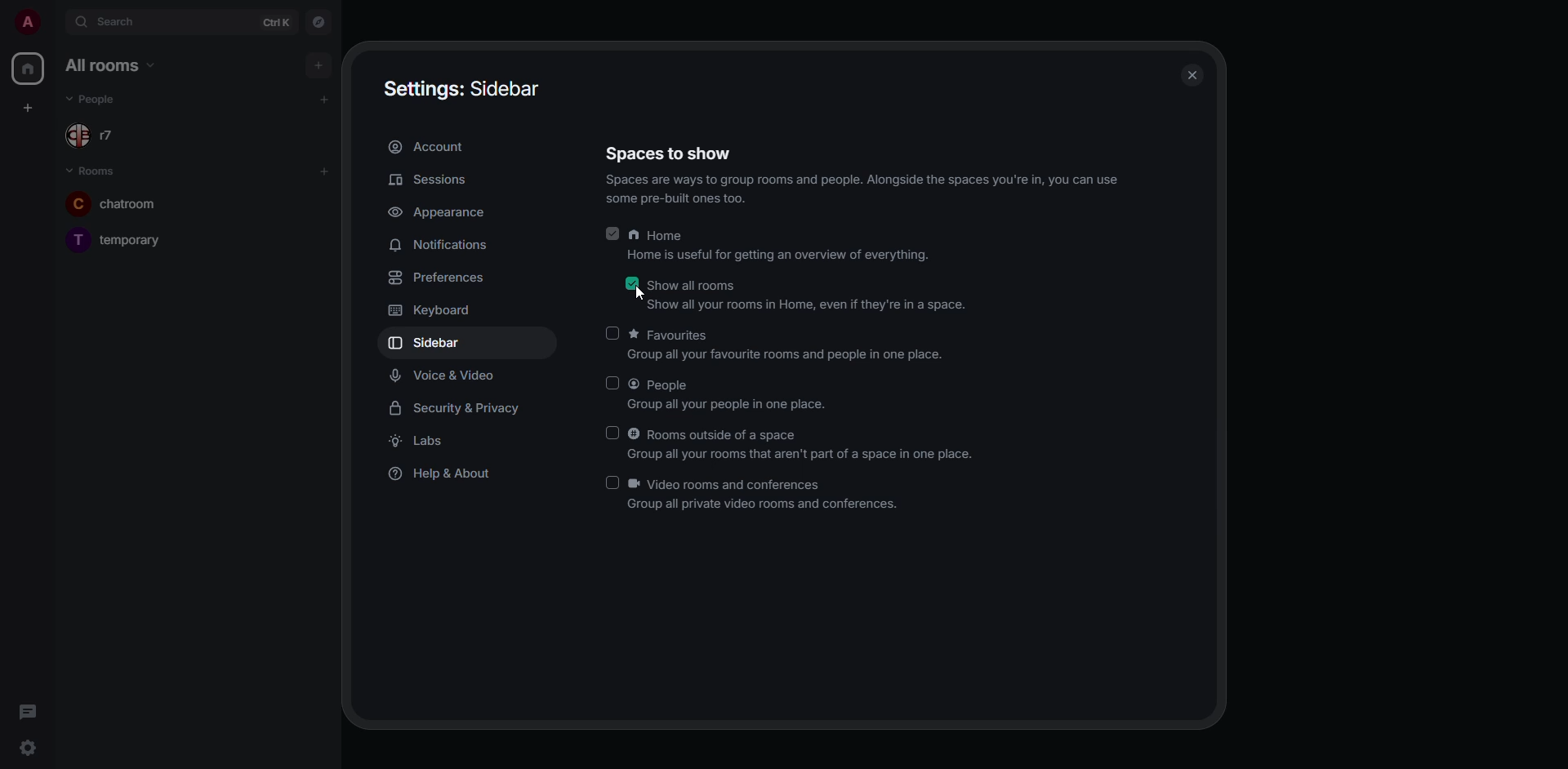 The height and width of the screenshot is (769, 1568). I want to click on ® People
Group all your people in one place., so click(743, 393).